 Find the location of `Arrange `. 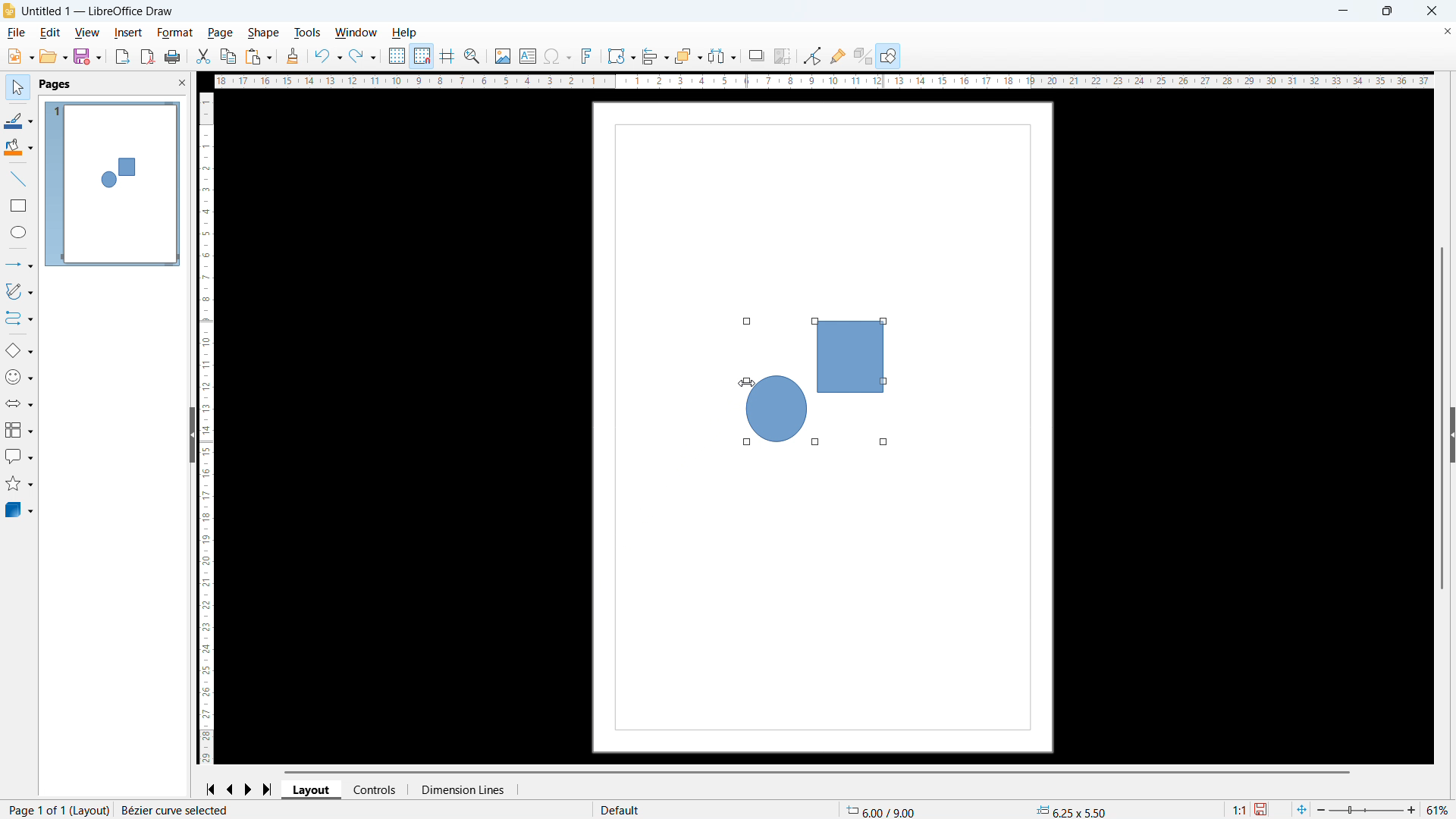

Arrange  is located at coordinates (689, 55).